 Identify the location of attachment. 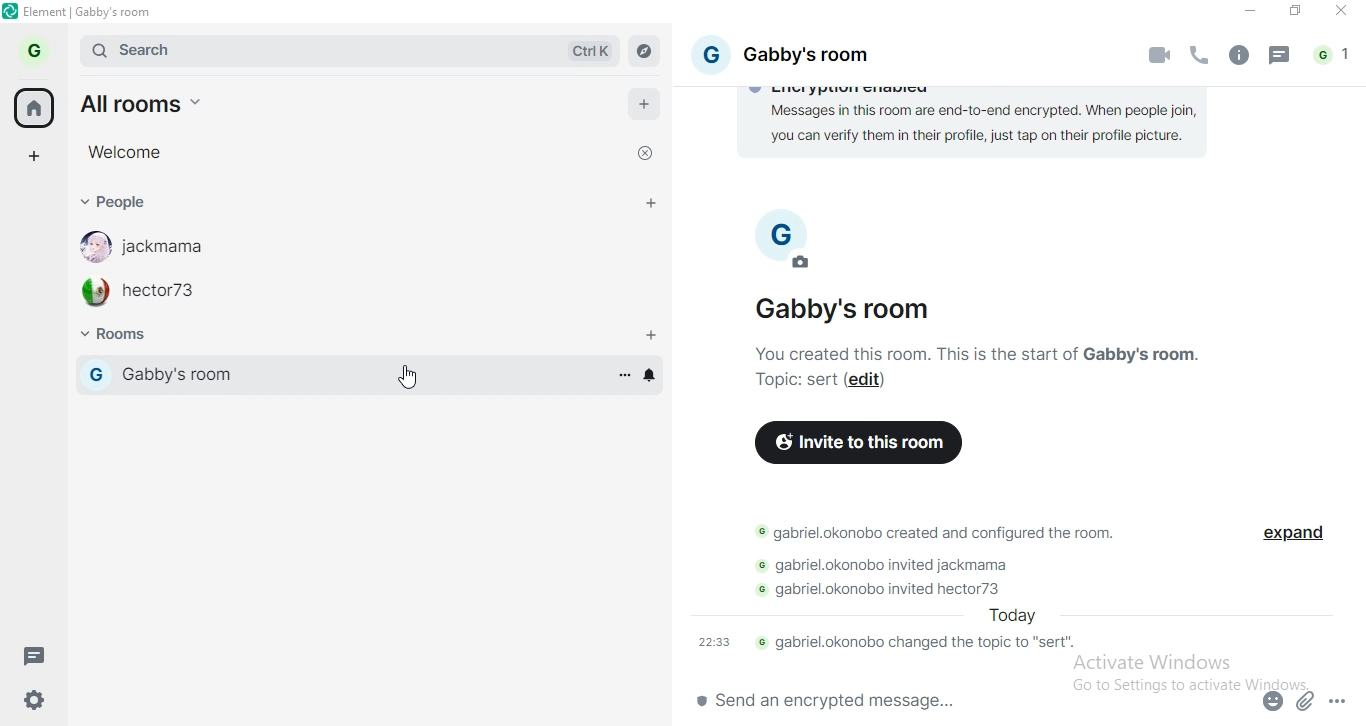
(1307, 700).